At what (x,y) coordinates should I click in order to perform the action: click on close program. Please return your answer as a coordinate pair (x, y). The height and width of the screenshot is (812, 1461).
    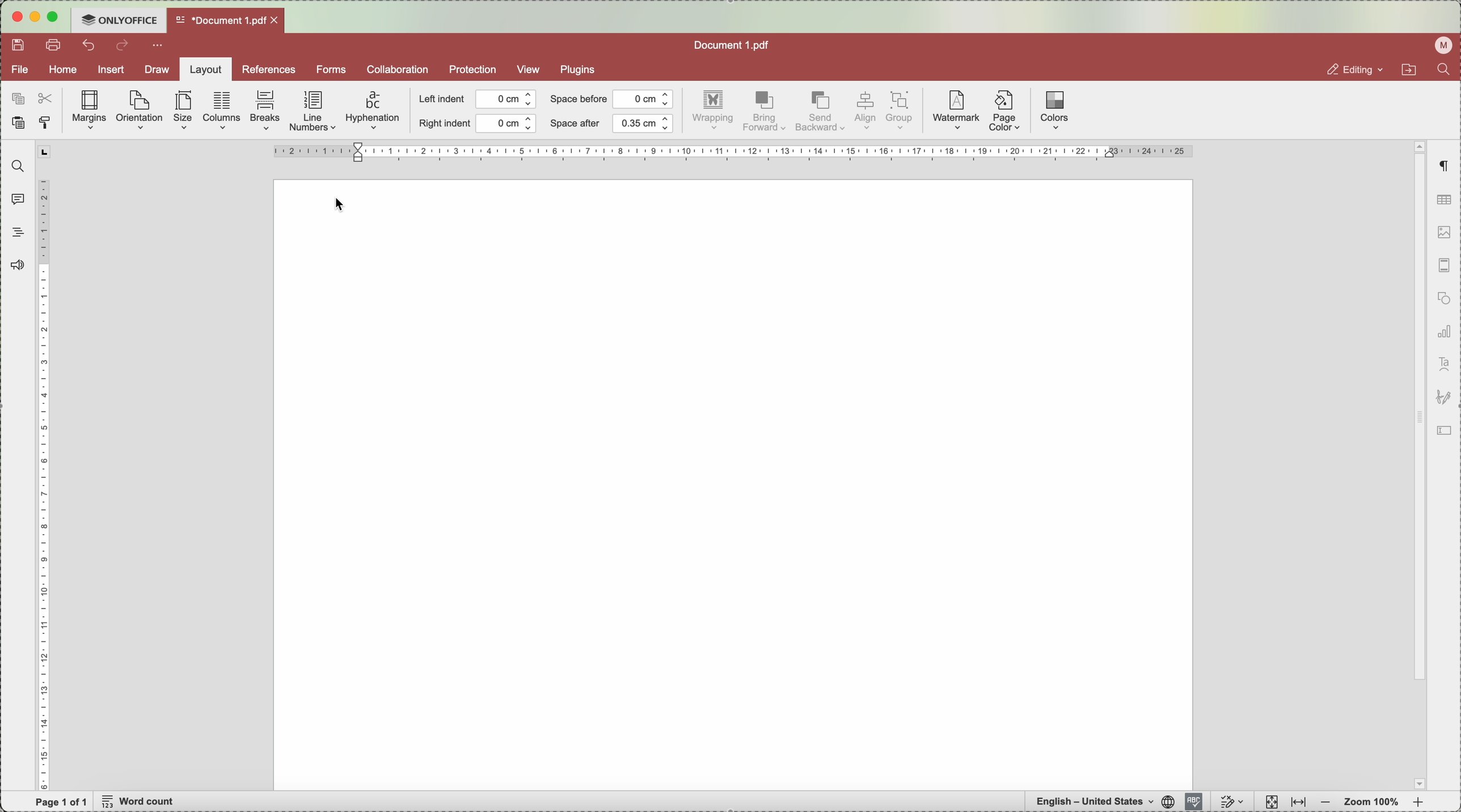
    Looking at the image, I should click on (15, 19).